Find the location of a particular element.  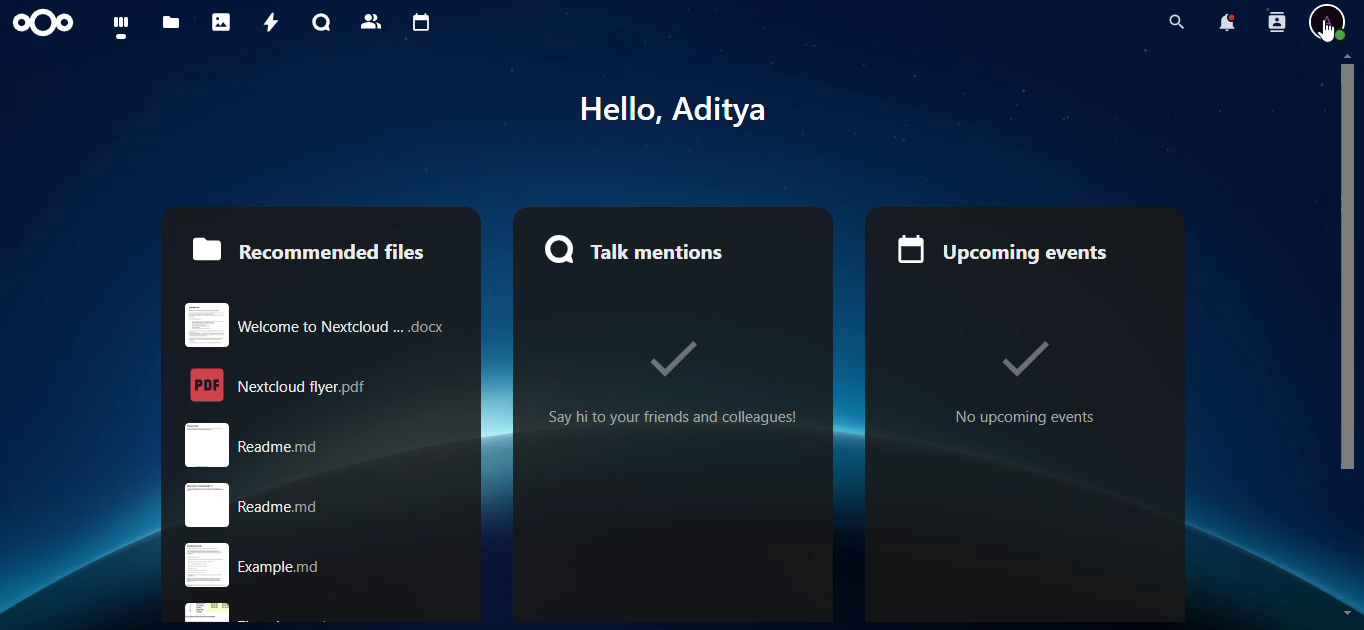

dashboard is located at coordinates (123, 28).